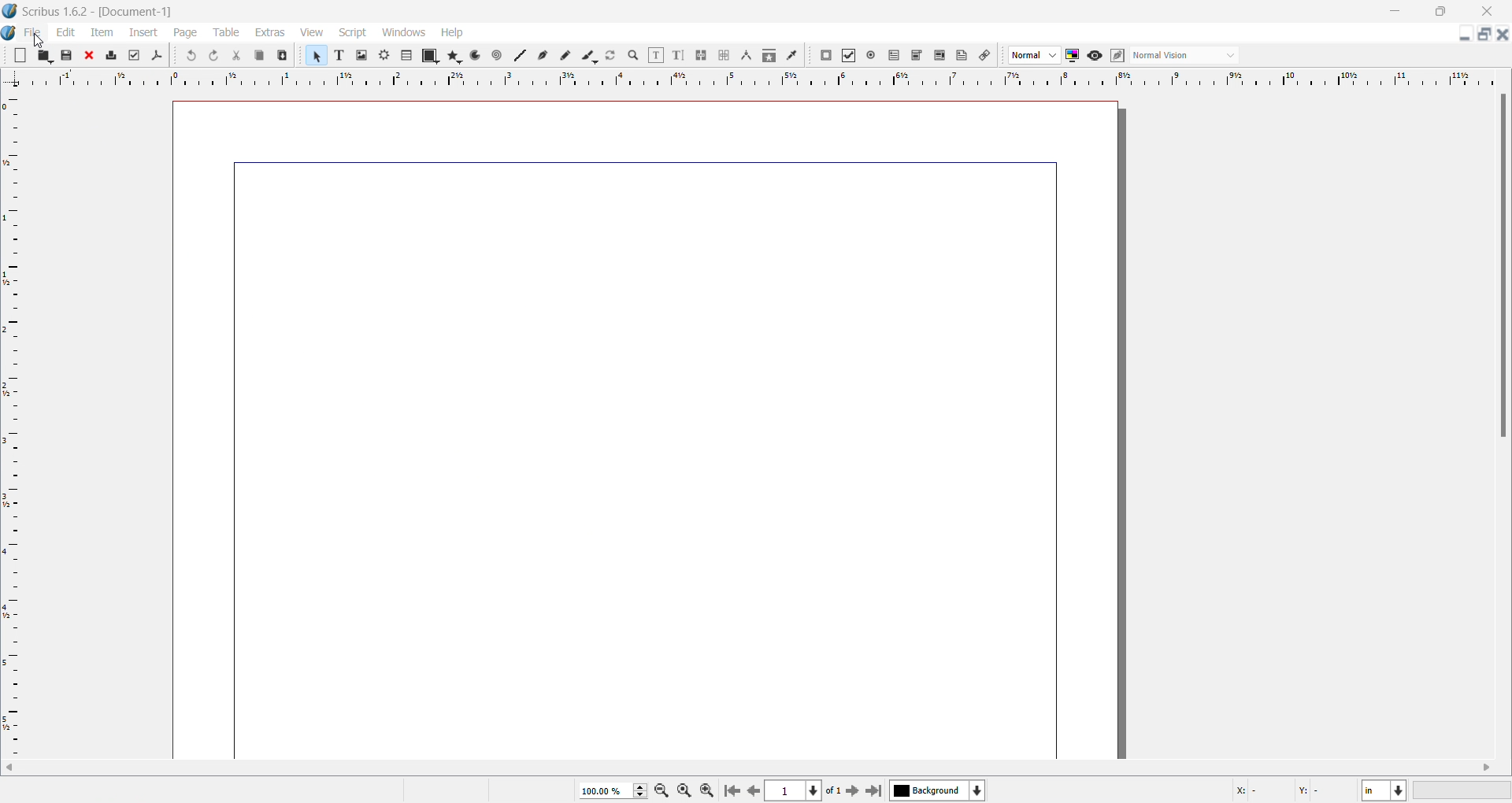 The width and height of the screenshot is (1512, 803). I want to click on zoom icon, so click(685, 790).